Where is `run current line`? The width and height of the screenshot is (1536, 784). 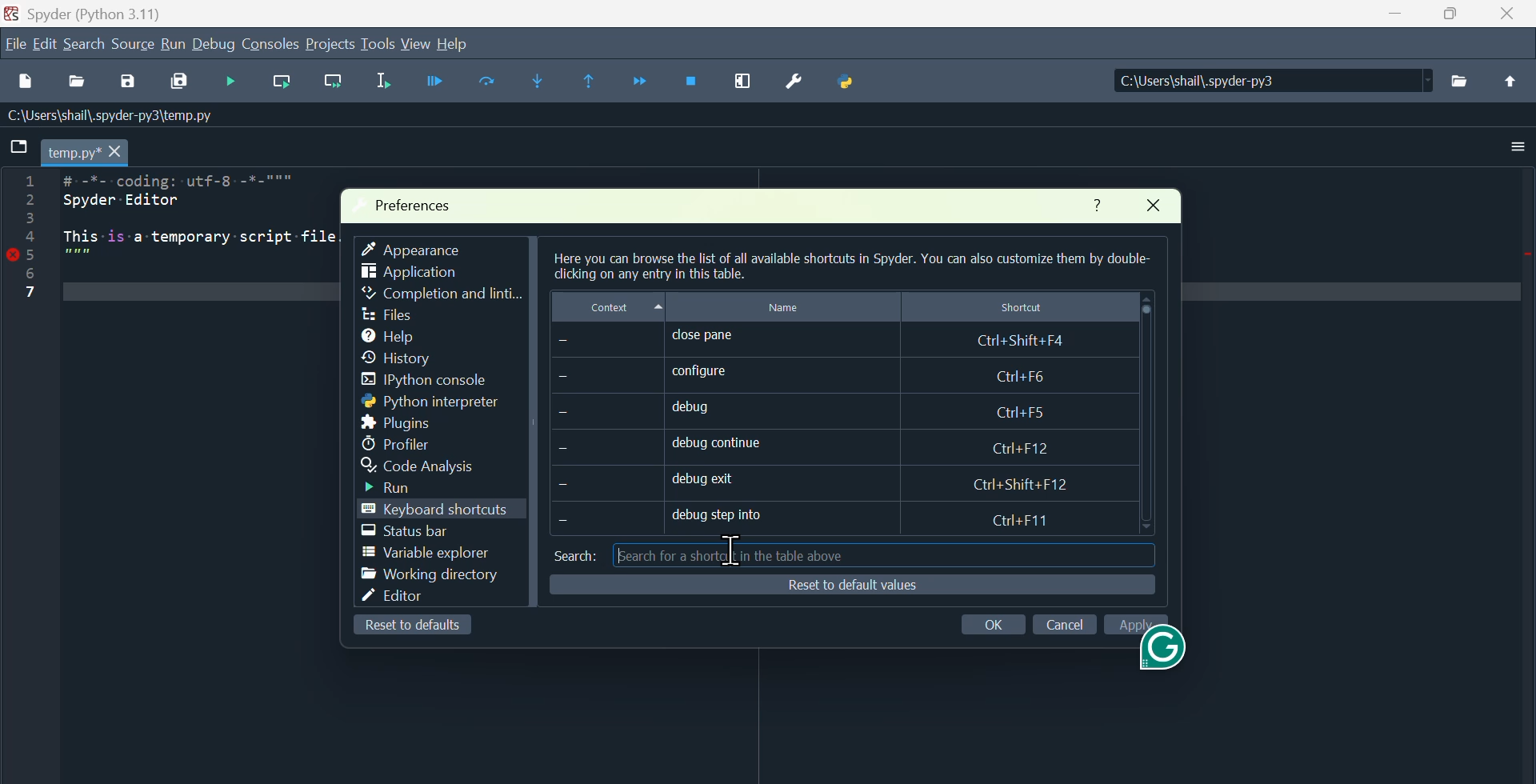 run current line is located at coordinates (286, 84).